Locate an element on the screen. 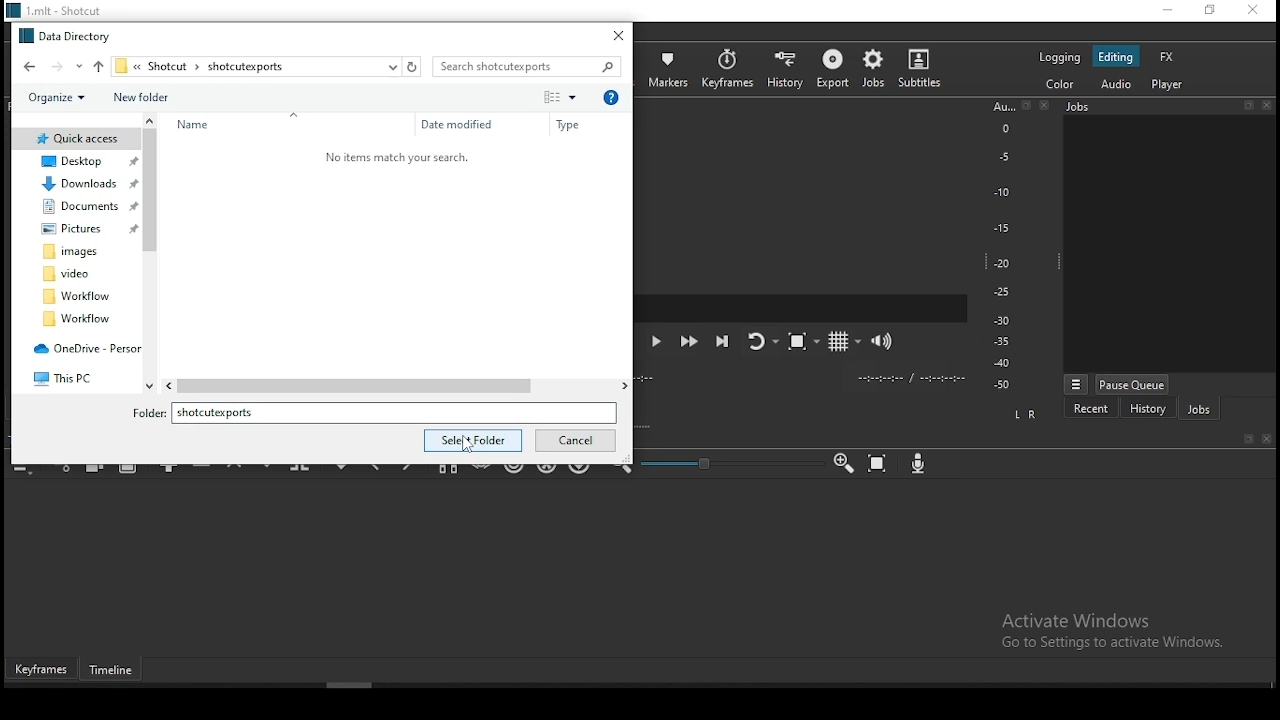 The image size is (1280, 720). close is located at coordinates (1269, 104).